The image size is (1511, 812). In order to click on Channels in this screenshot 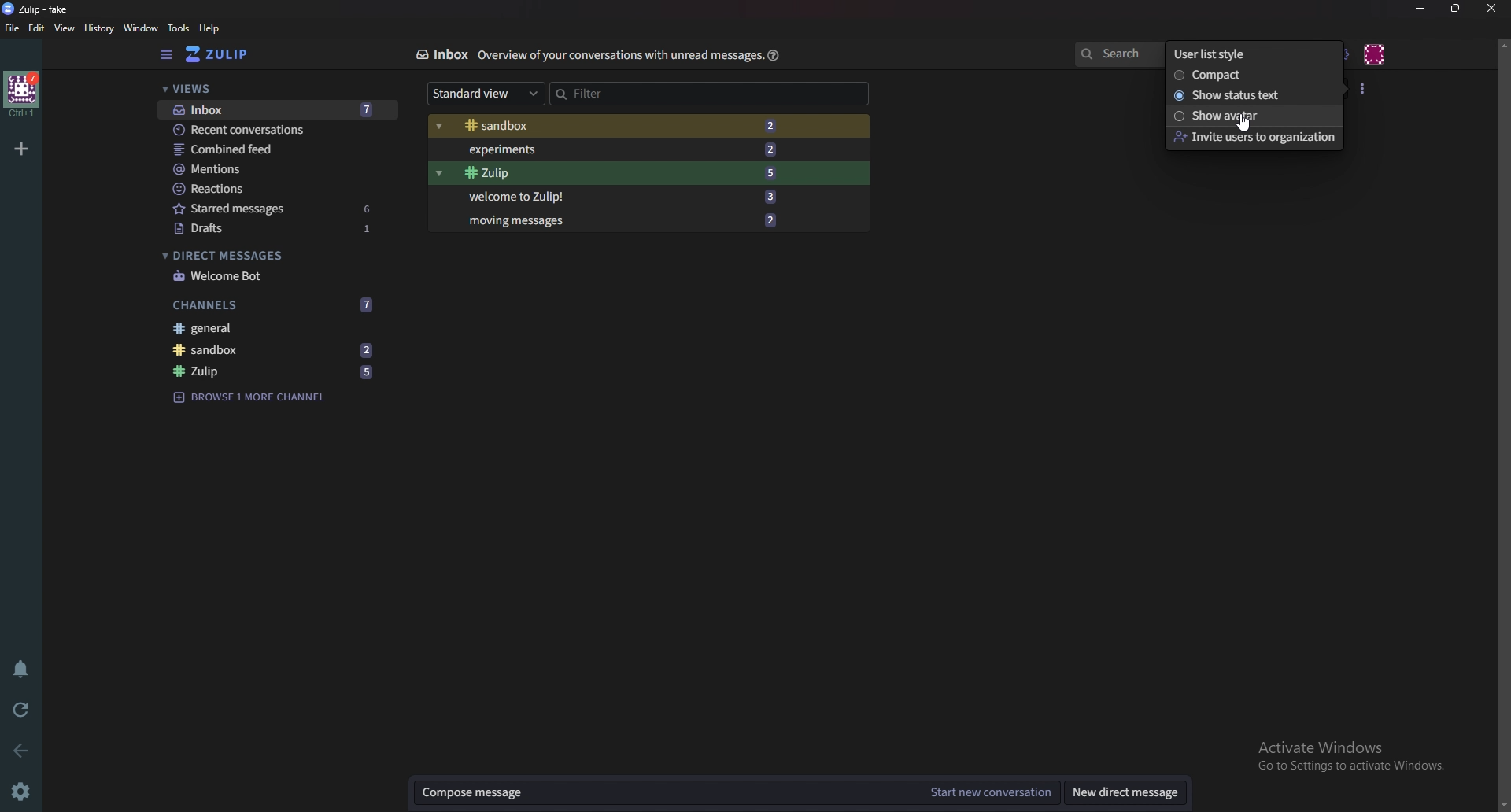, I will do `click(271, 304)`.